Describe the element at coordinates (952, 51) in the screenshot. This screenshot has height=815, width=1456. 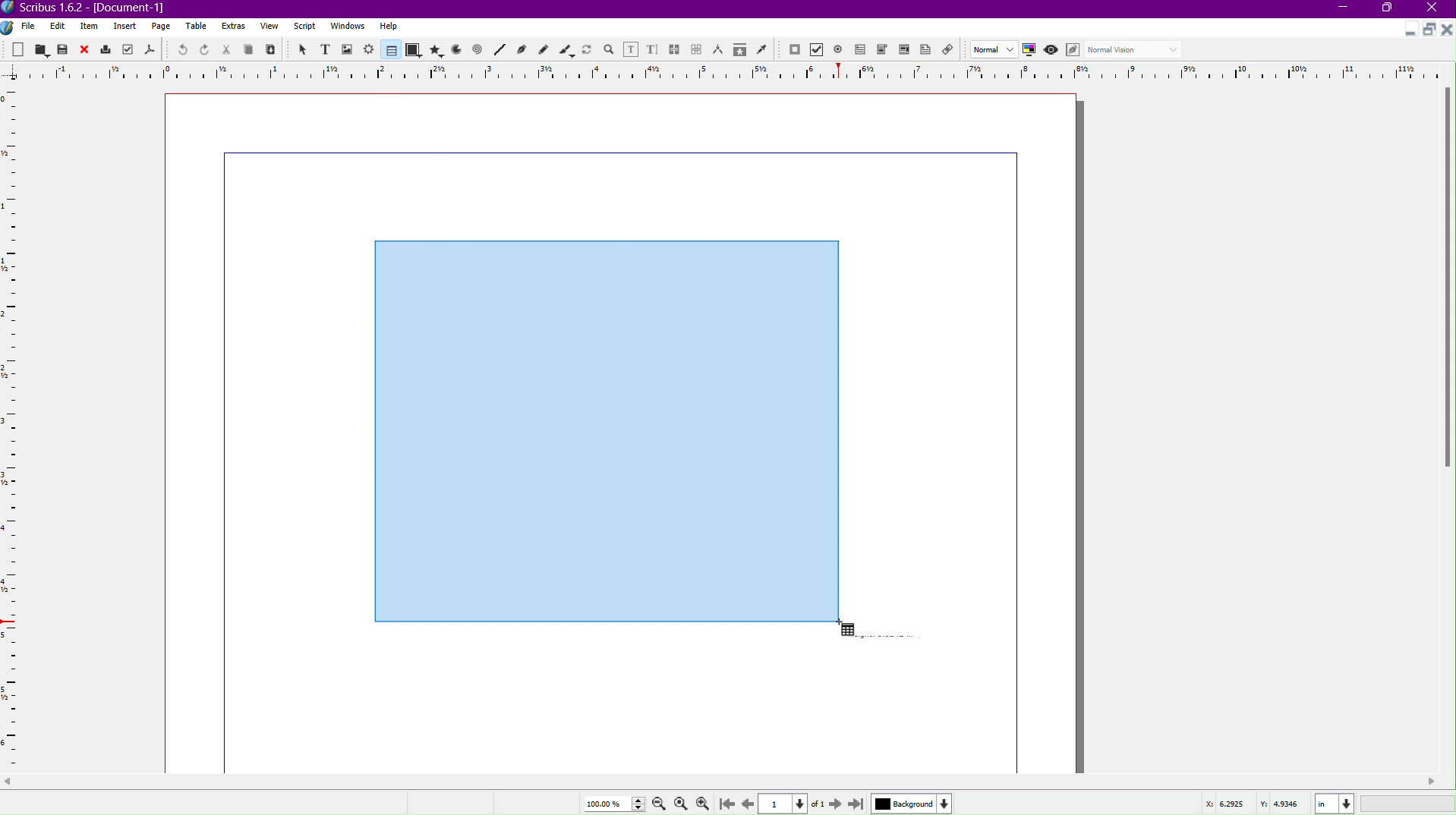
I see `Link Annotation` at that location.